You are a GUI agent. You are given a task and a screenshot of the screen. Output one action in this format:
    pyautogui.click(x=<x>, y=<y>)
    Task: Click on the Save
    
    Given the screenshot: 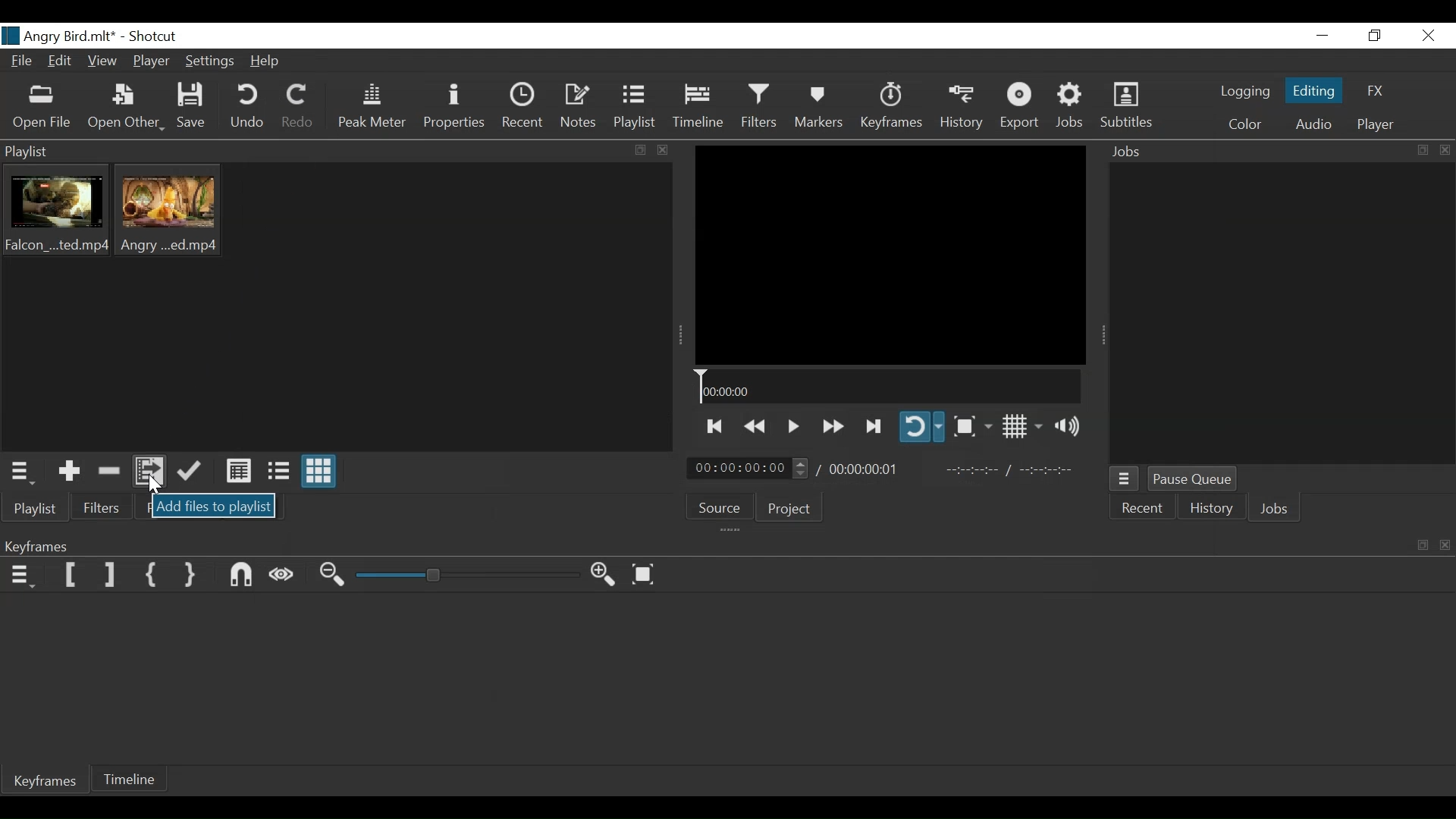 What is the action you would take?
    pyautogui.click(x=194, y=106)
    